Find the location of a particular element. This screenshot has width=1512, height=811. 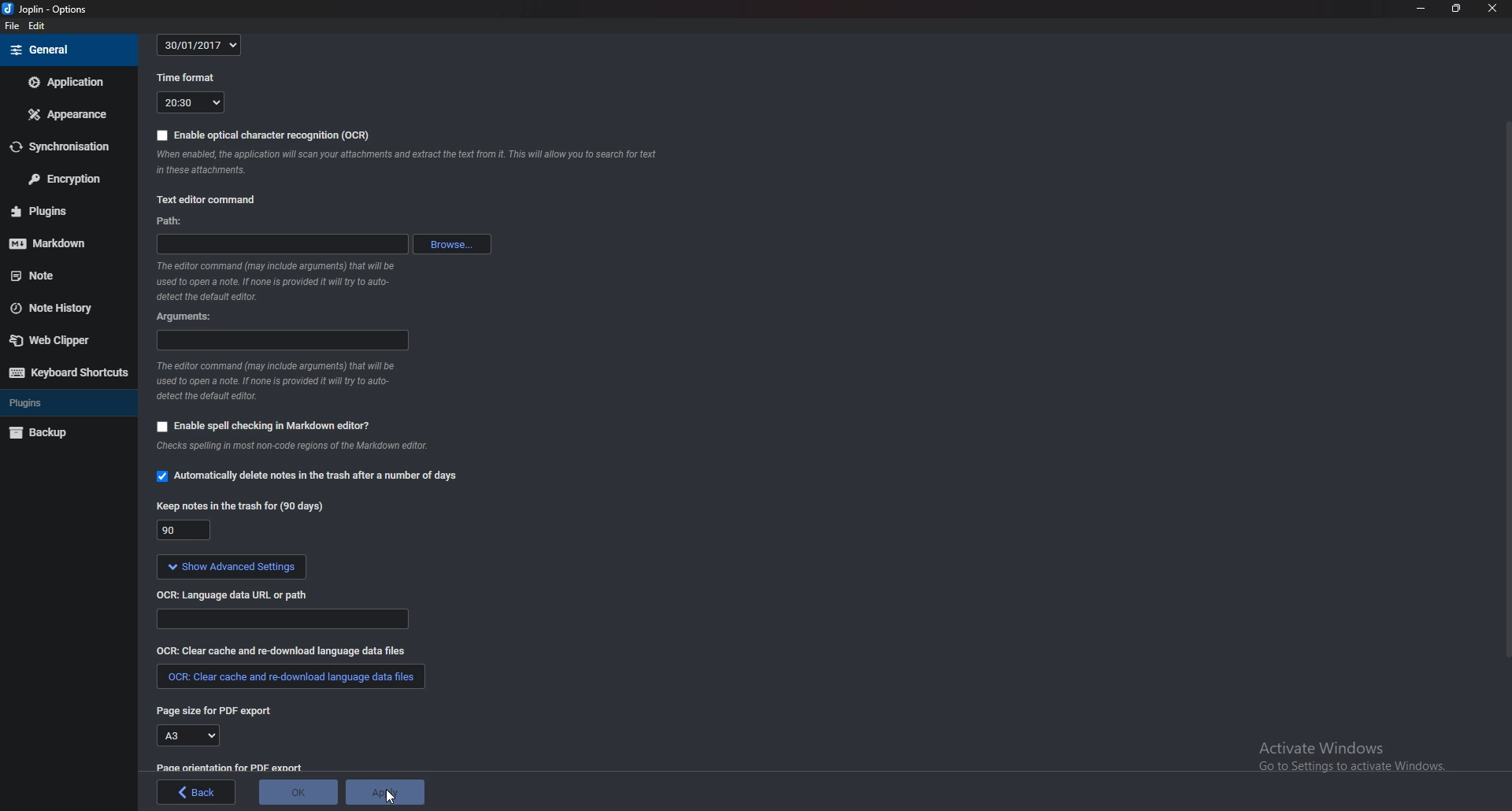

Plugins is located at coordinates (66, 402).